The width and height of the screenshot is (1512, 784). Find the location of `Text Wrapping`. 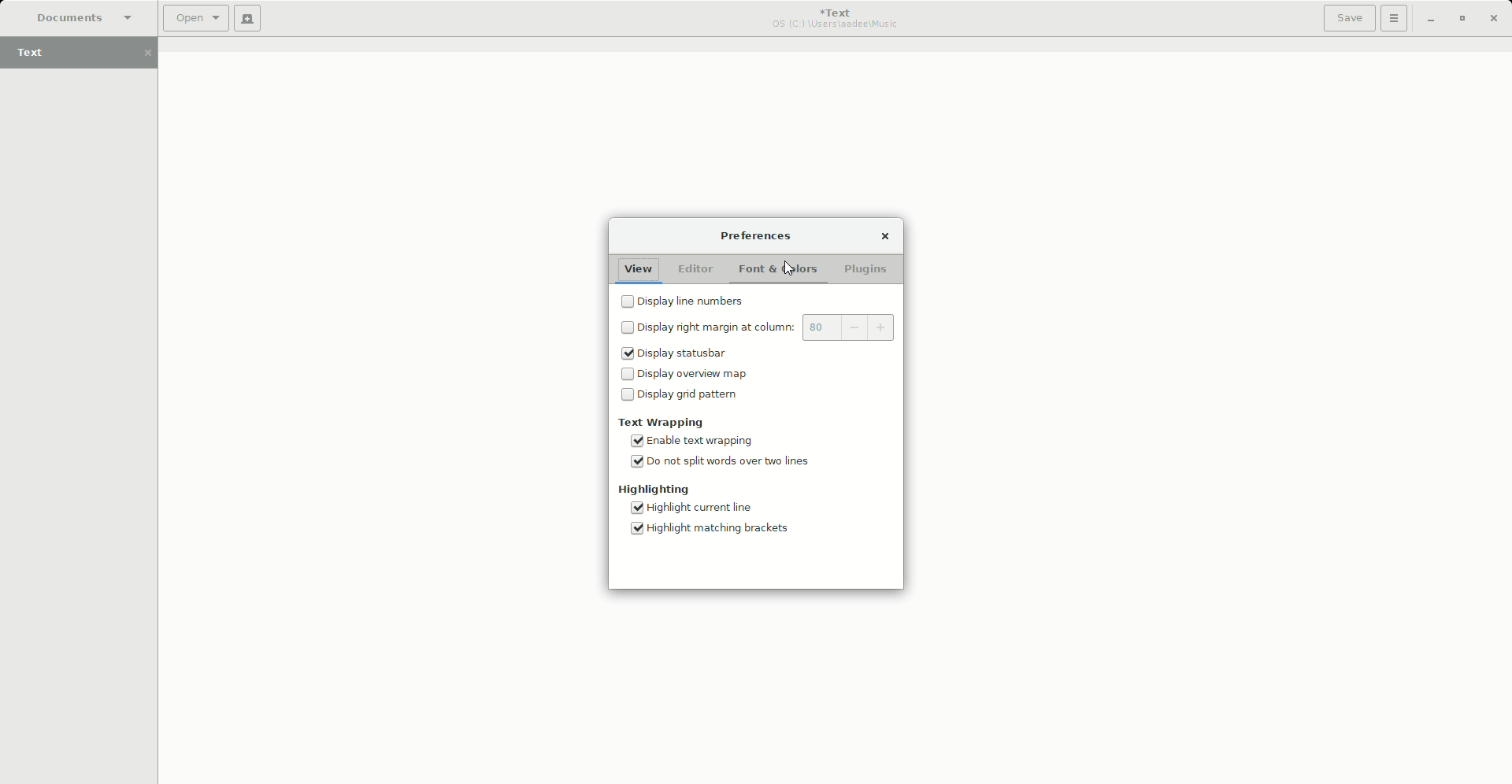

Text Wrapping is located at coordinates (662, 420).